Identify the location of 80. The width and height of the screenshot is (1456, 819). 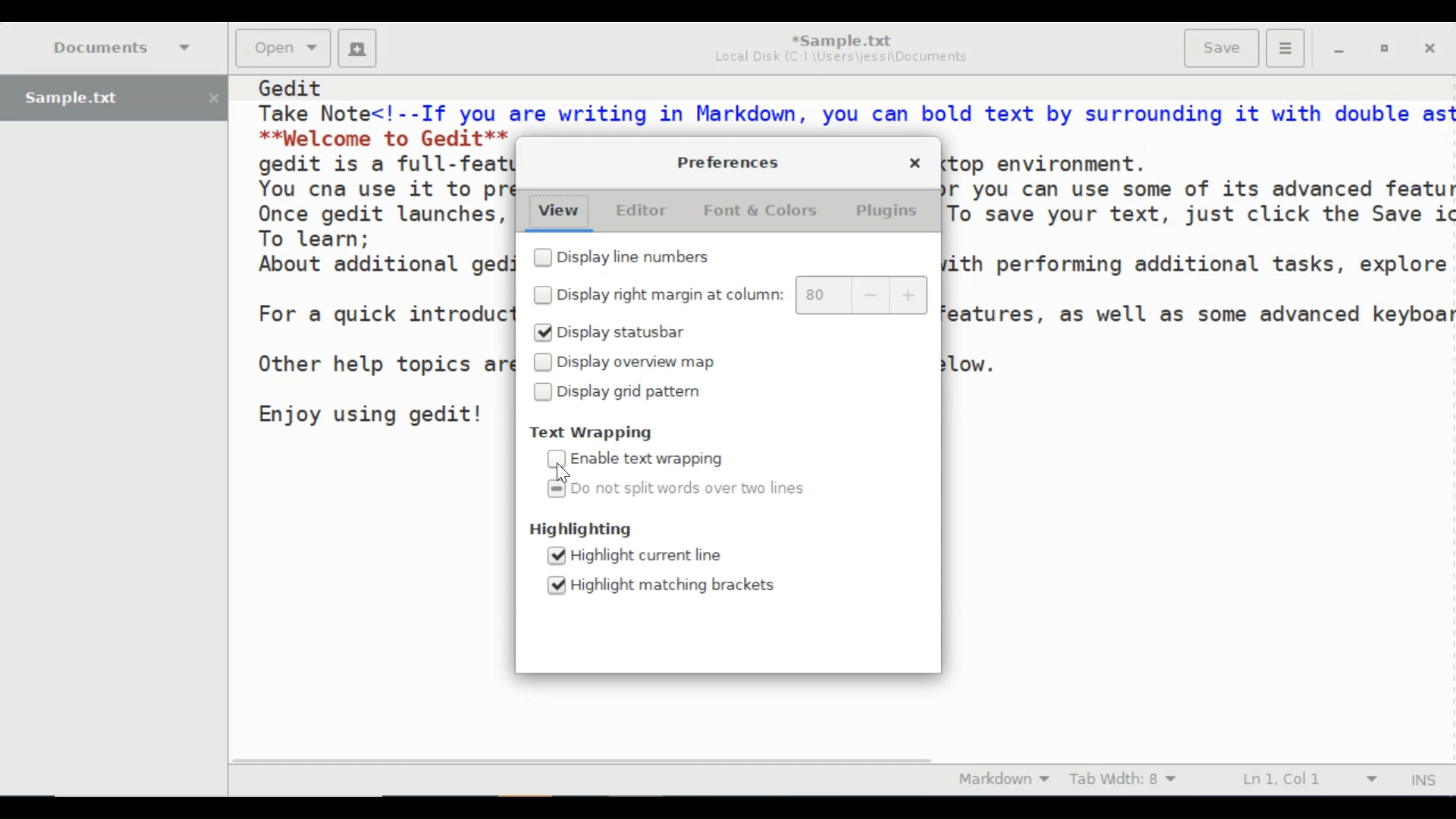
(824, 294).